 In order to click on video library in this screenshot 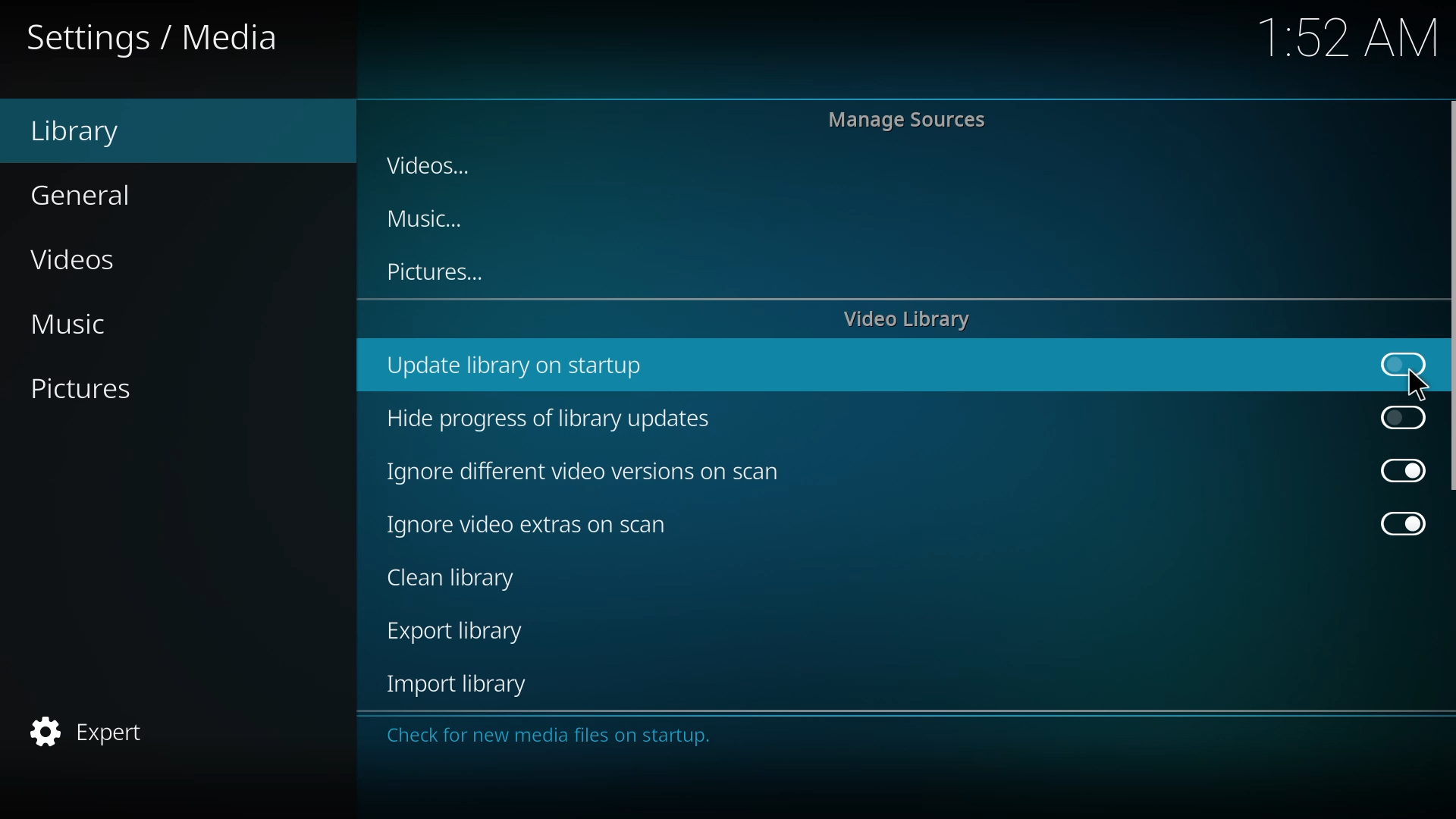, I will do `click(911, 320)`.